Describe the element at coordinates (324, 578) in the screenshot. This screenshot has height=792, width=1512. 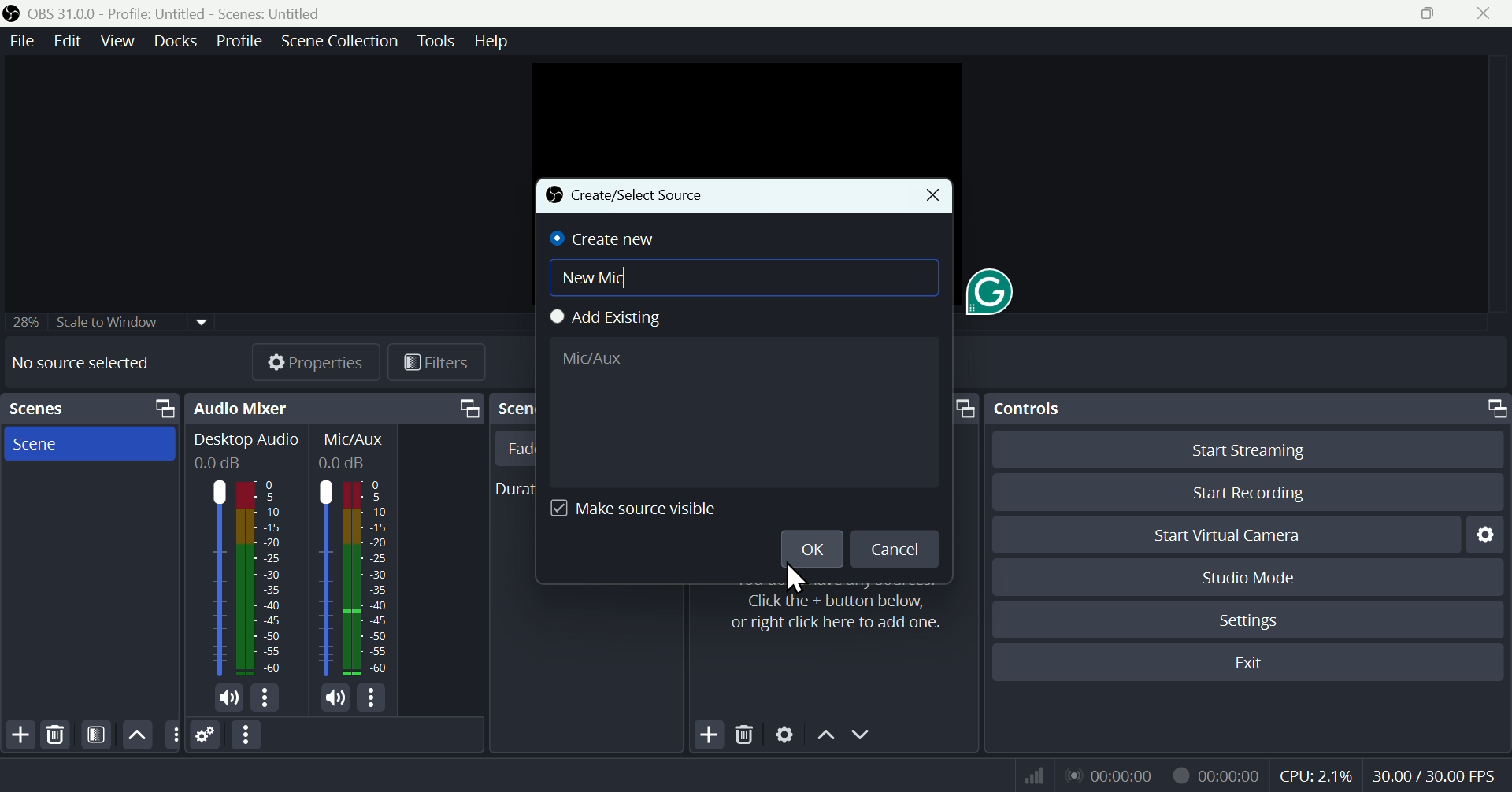
I see `Mic/Aux` at that location.